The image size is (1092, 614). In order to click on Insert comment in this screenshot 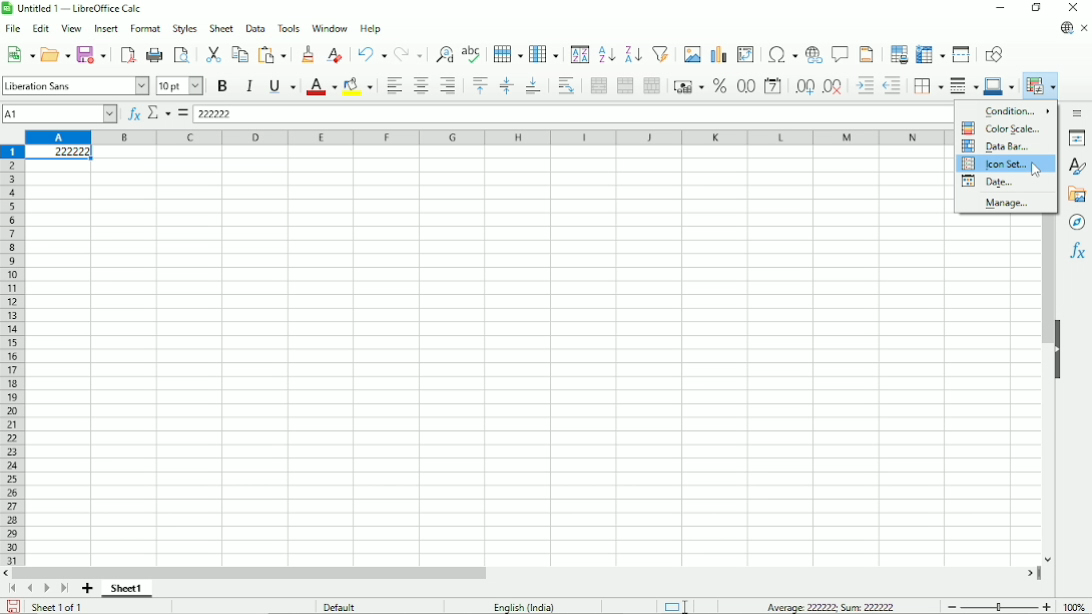, I will do `click(840, 55)`.